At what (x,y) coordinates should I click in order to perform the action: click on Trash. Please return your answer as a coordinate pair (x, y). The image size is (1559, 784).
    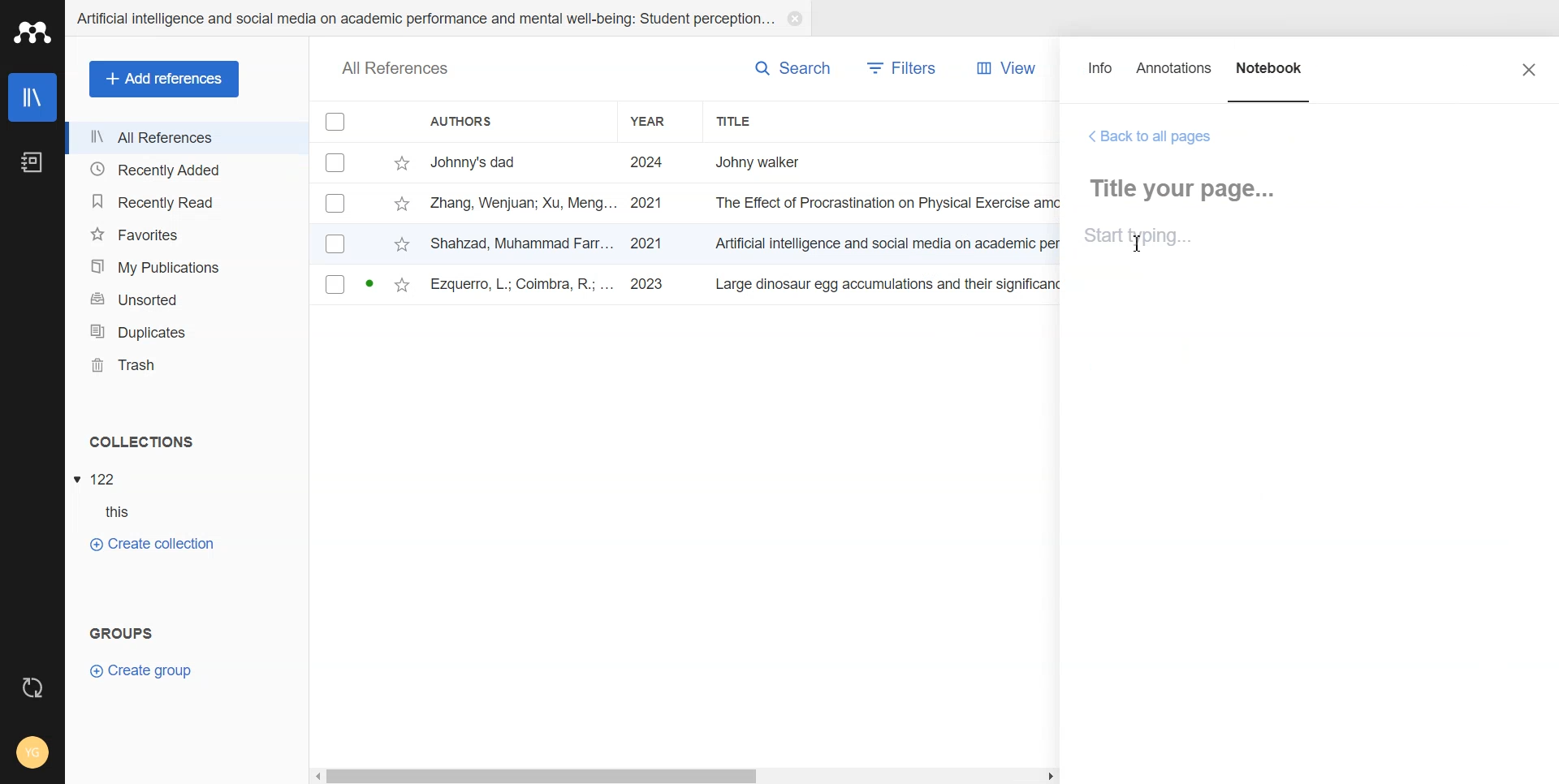
    Looking at the image, I should click on (187, 365).